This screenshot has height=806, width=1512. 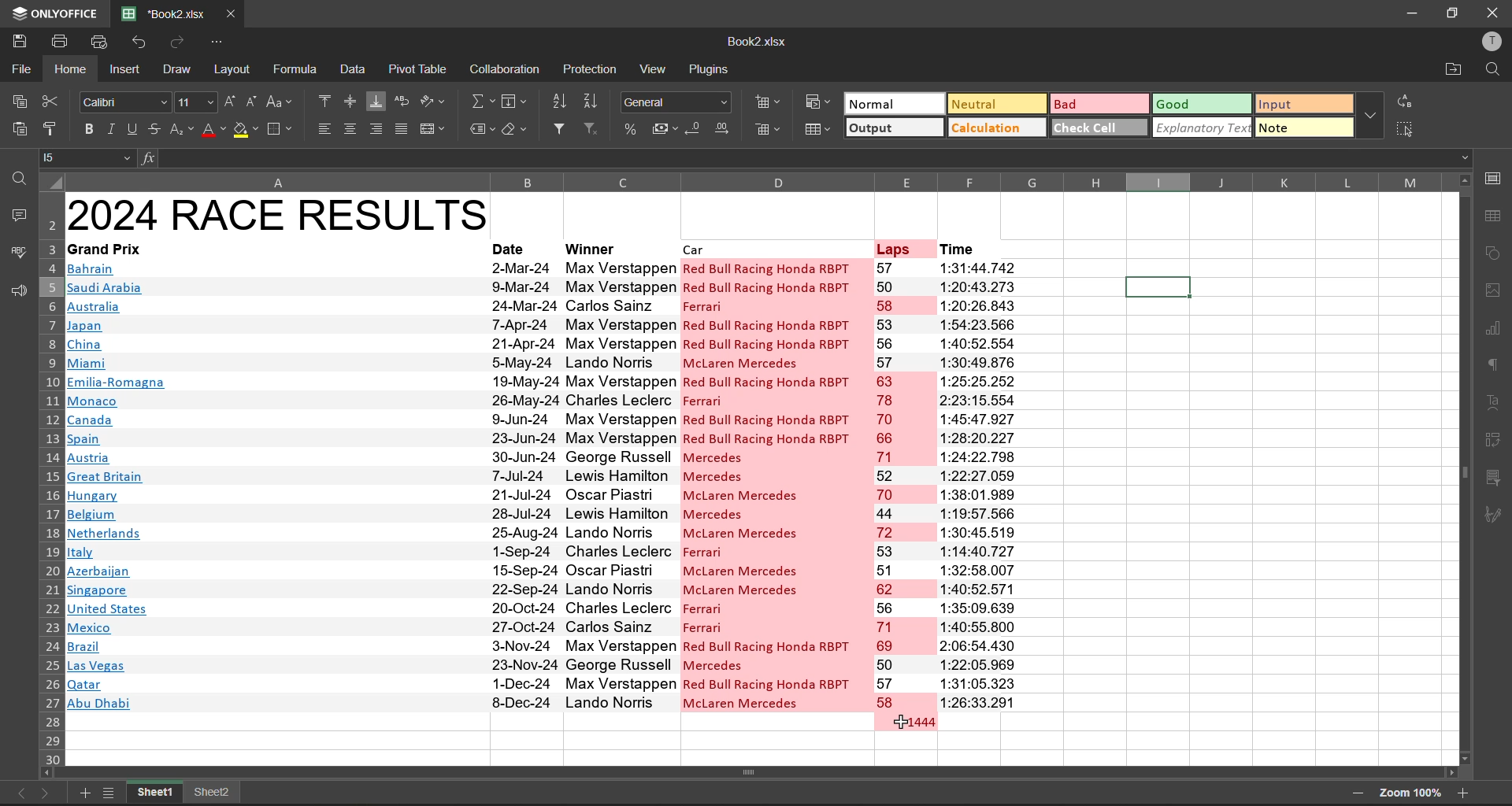 I want to click on align top, so click(x=324, y=100).